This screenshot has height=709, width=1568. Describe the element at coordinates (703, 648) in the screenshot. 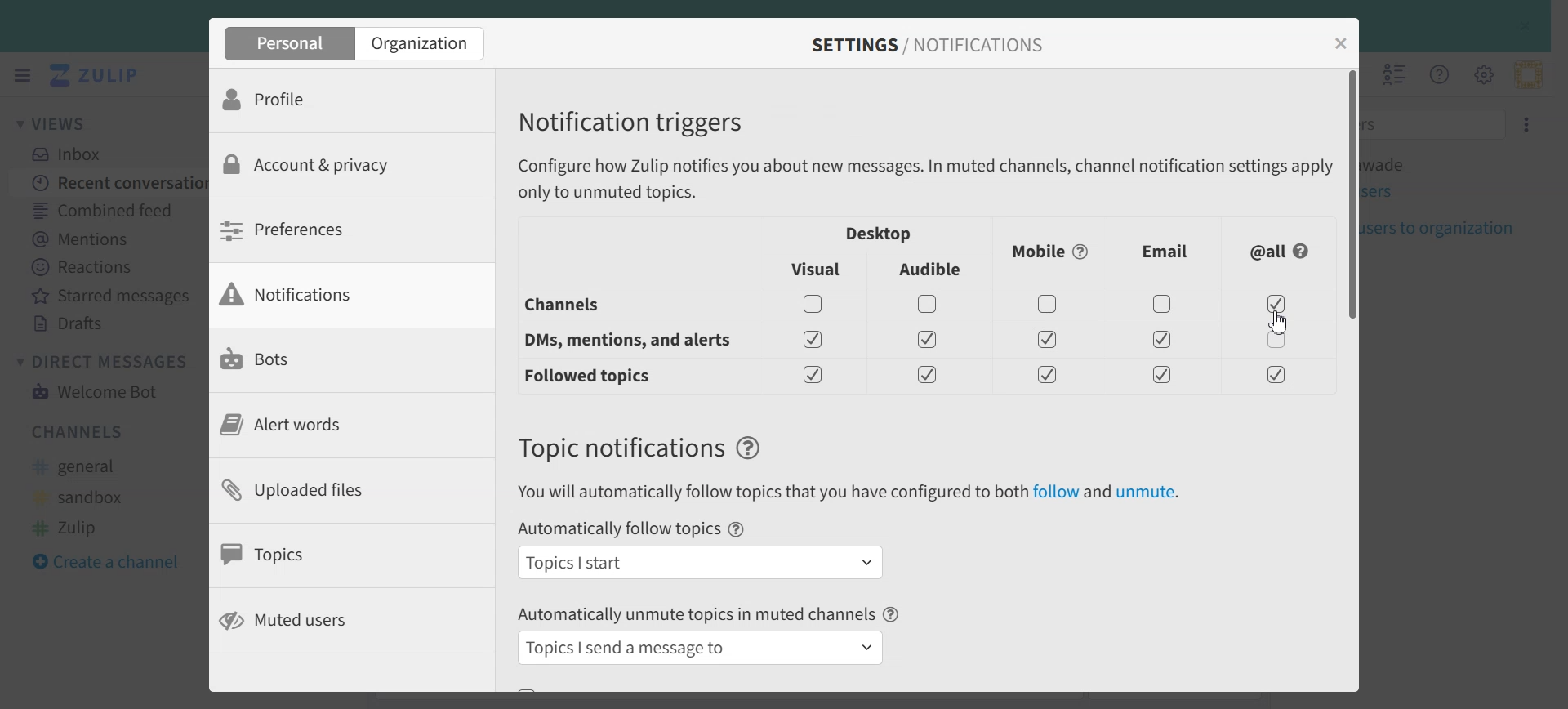

I see `Topics I send a message to ` at that location.